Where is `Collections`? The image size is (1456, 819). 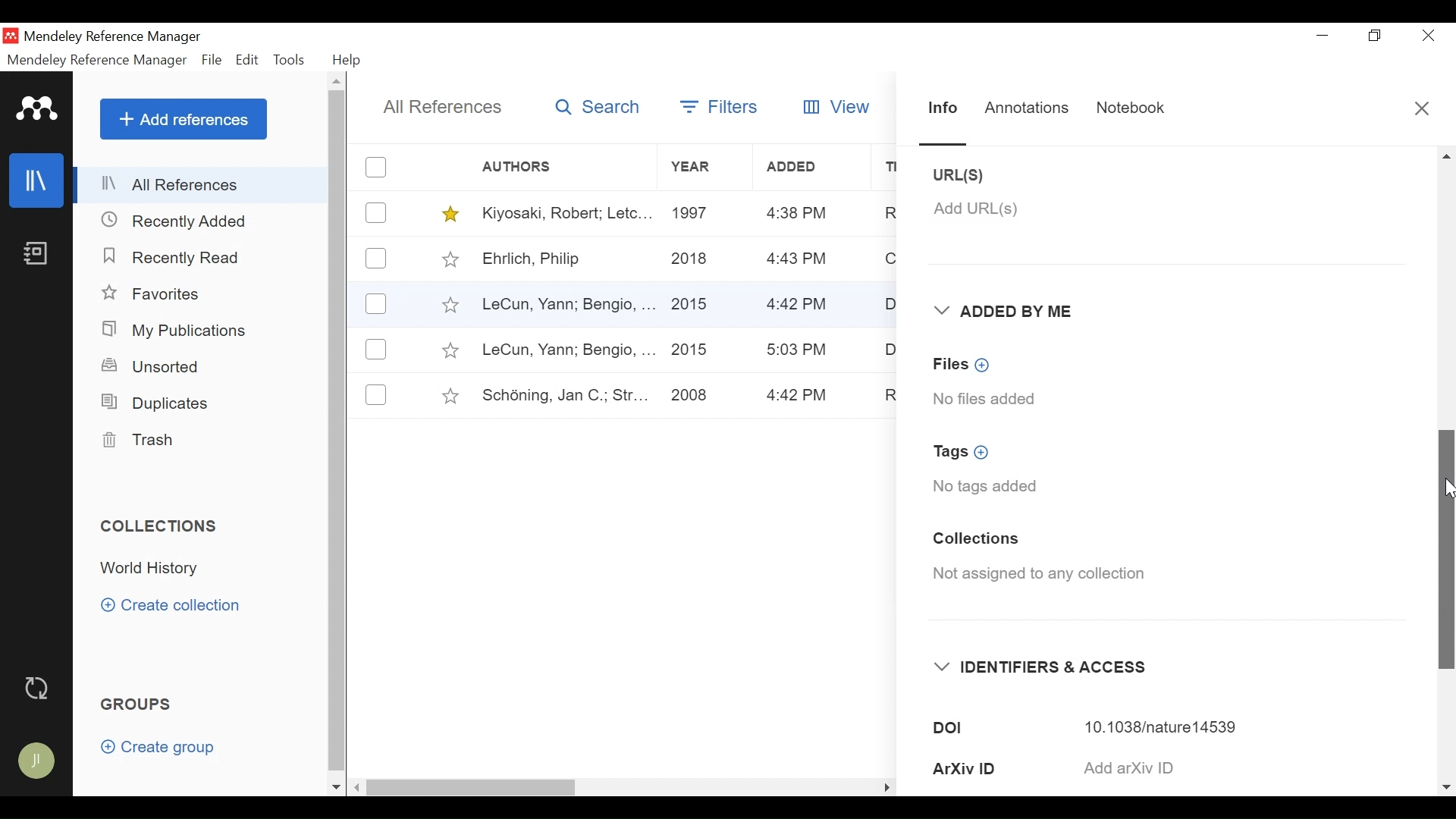 Collections is located at coordinates (975, 541).